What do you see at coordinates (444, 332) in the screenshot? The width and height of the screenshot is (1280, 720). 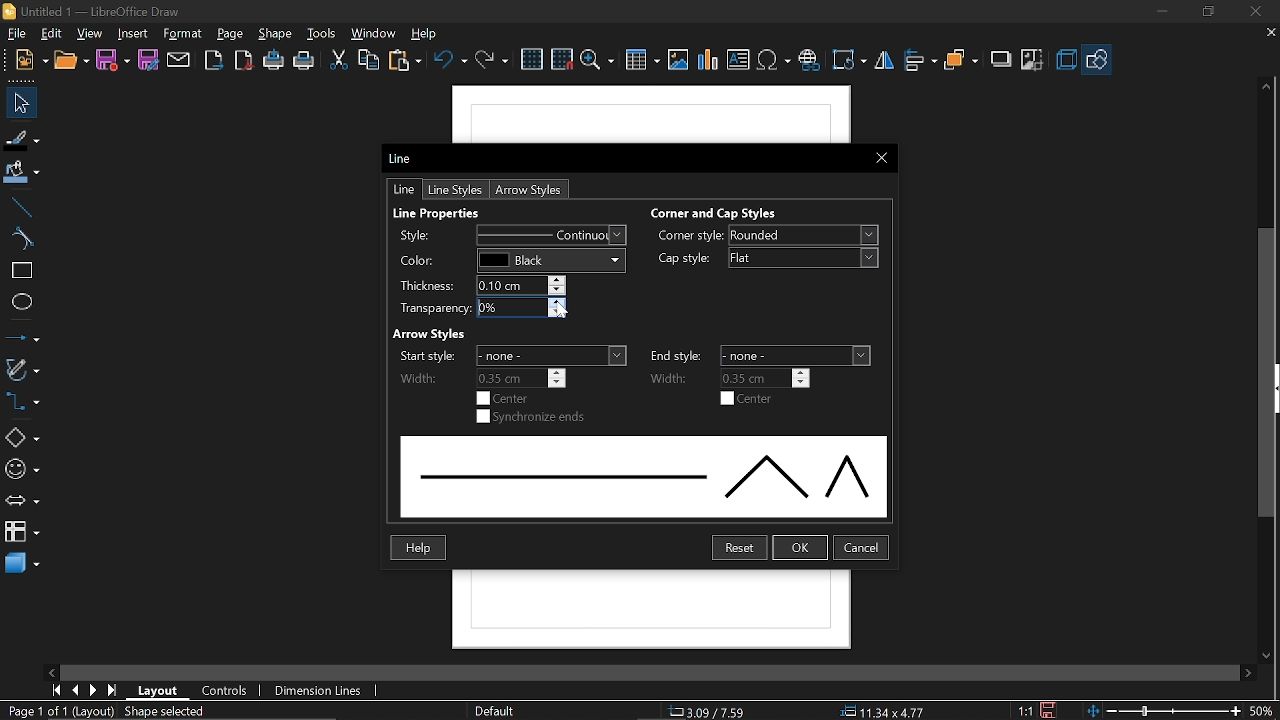 I see `Arrow Styles` at bounding box center [444, 332].